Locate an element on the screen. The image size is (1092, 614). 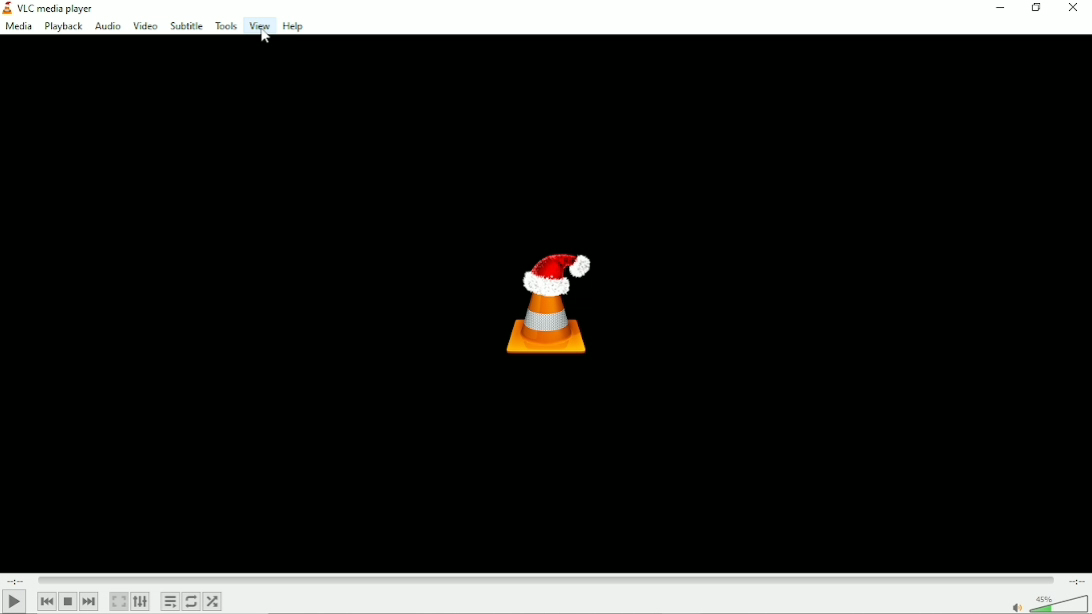
Play is located at coordinates (15, 602).